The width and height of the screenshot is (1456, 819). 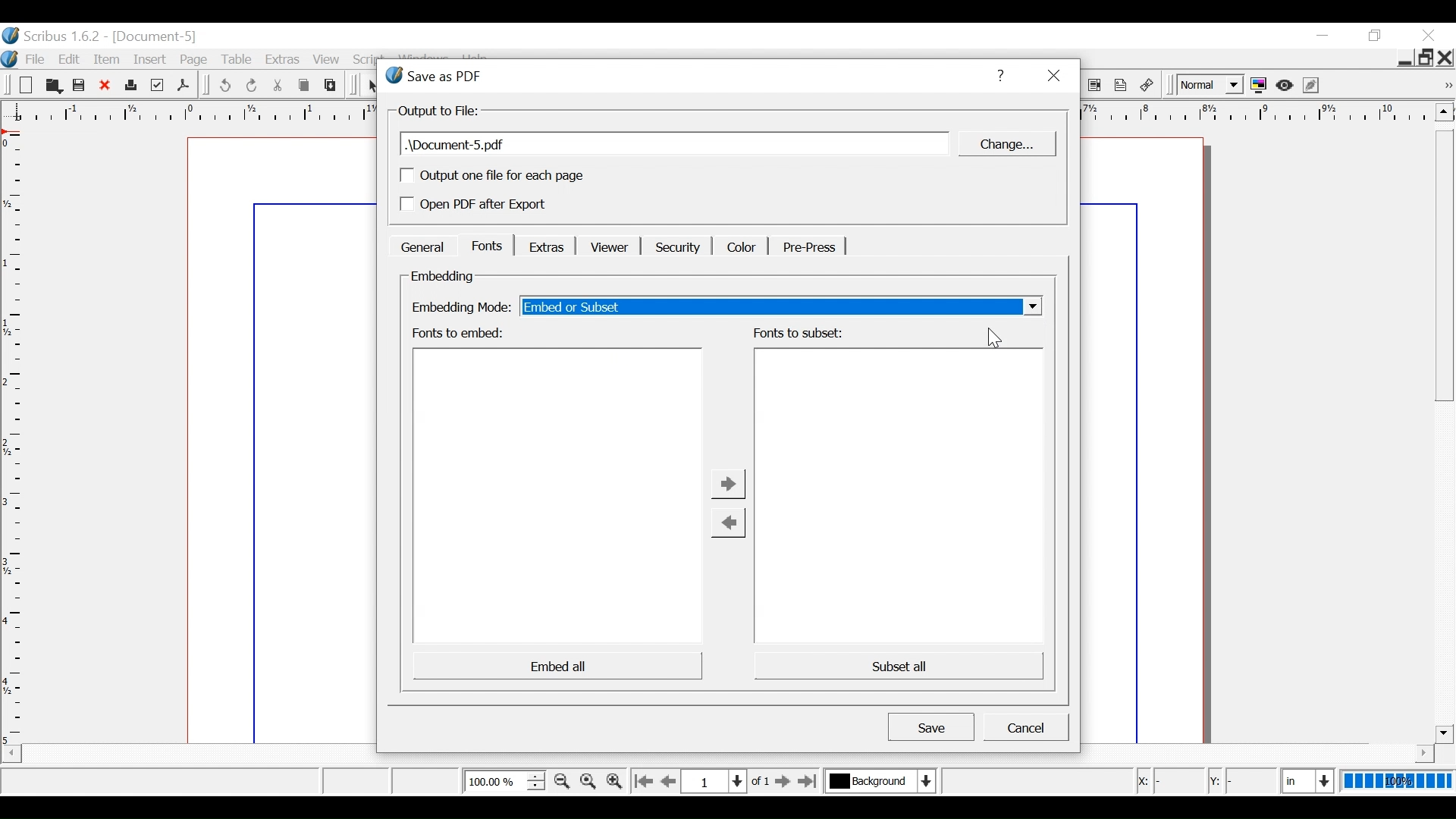 I want to click on Document, so click(x=277, y=439).